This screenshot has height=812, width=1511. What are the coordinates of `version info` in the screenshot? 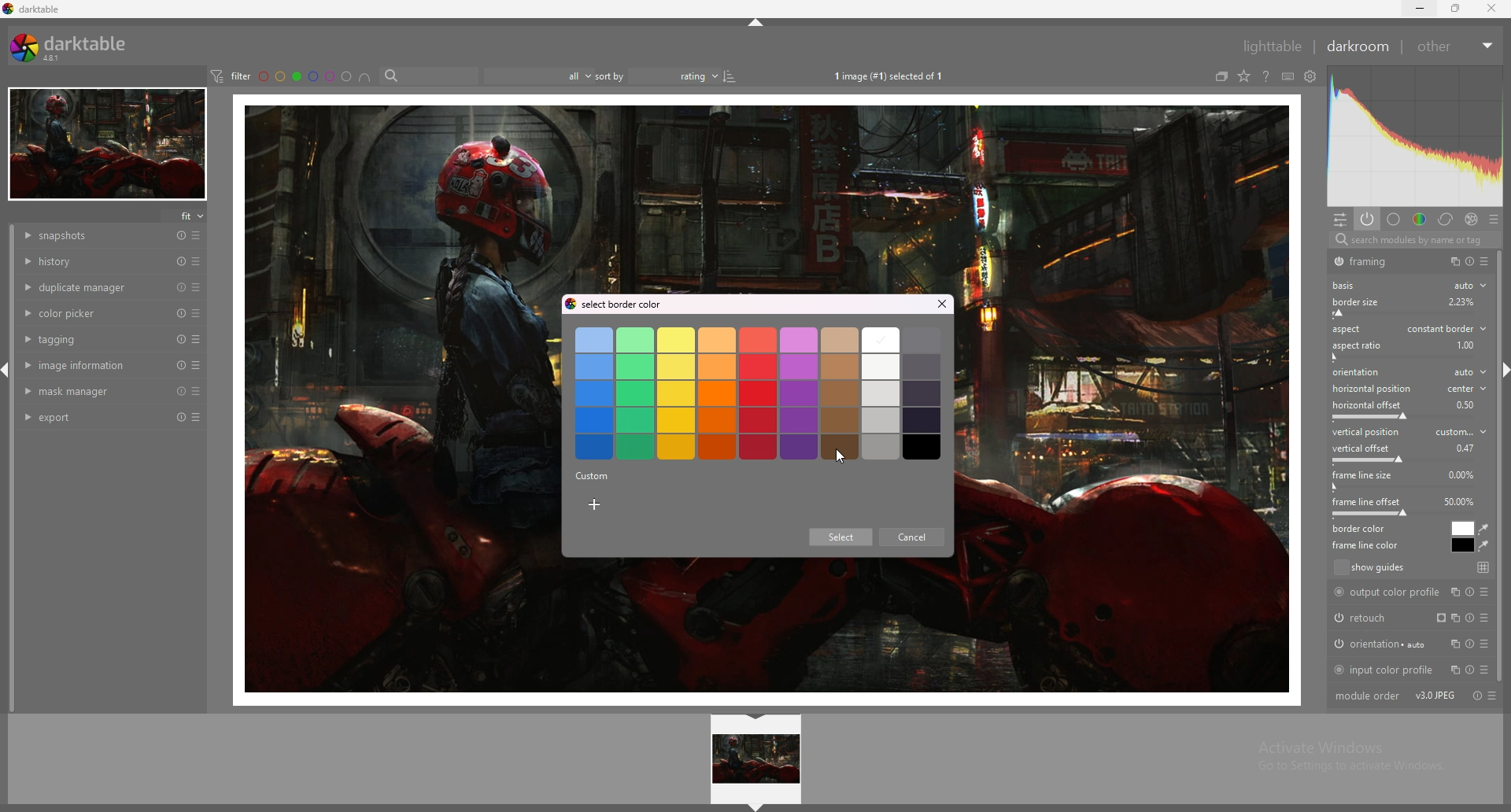 It's located at (1435, 696).